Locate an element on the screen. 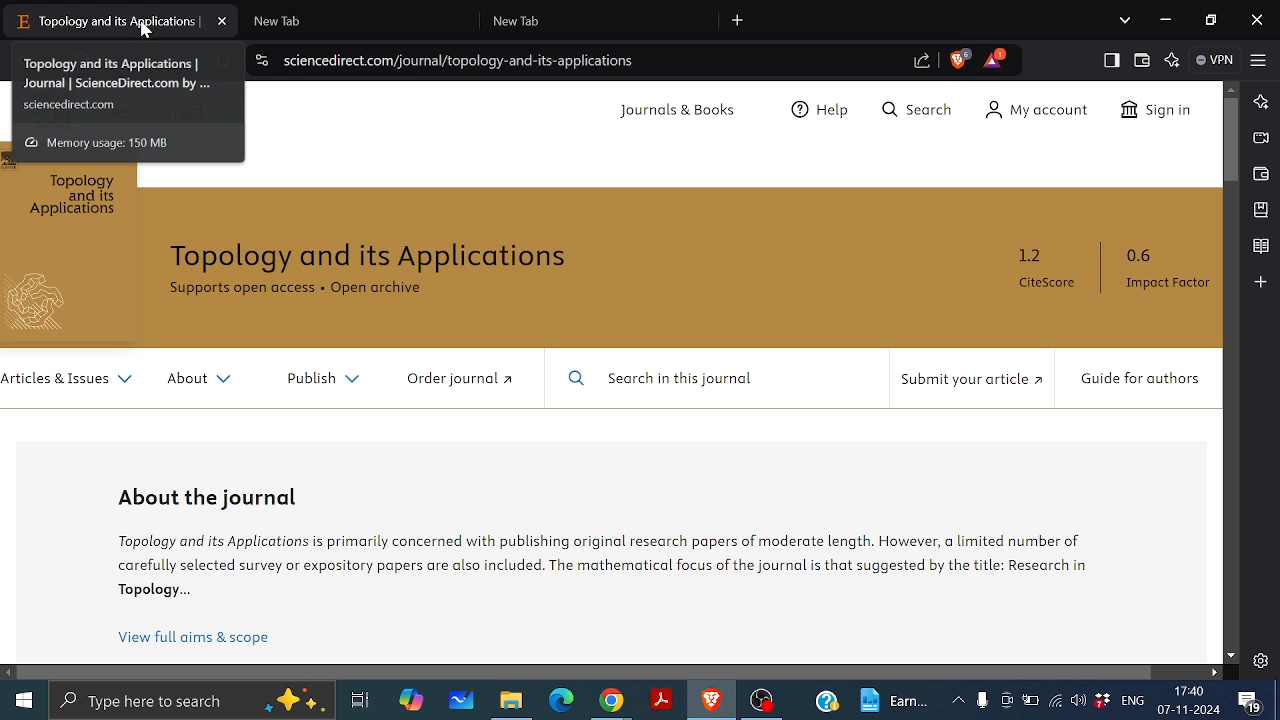 Image resolution: width=1280 pixels, height=720 pixels. Recorder is located at coordinates (982, 701).